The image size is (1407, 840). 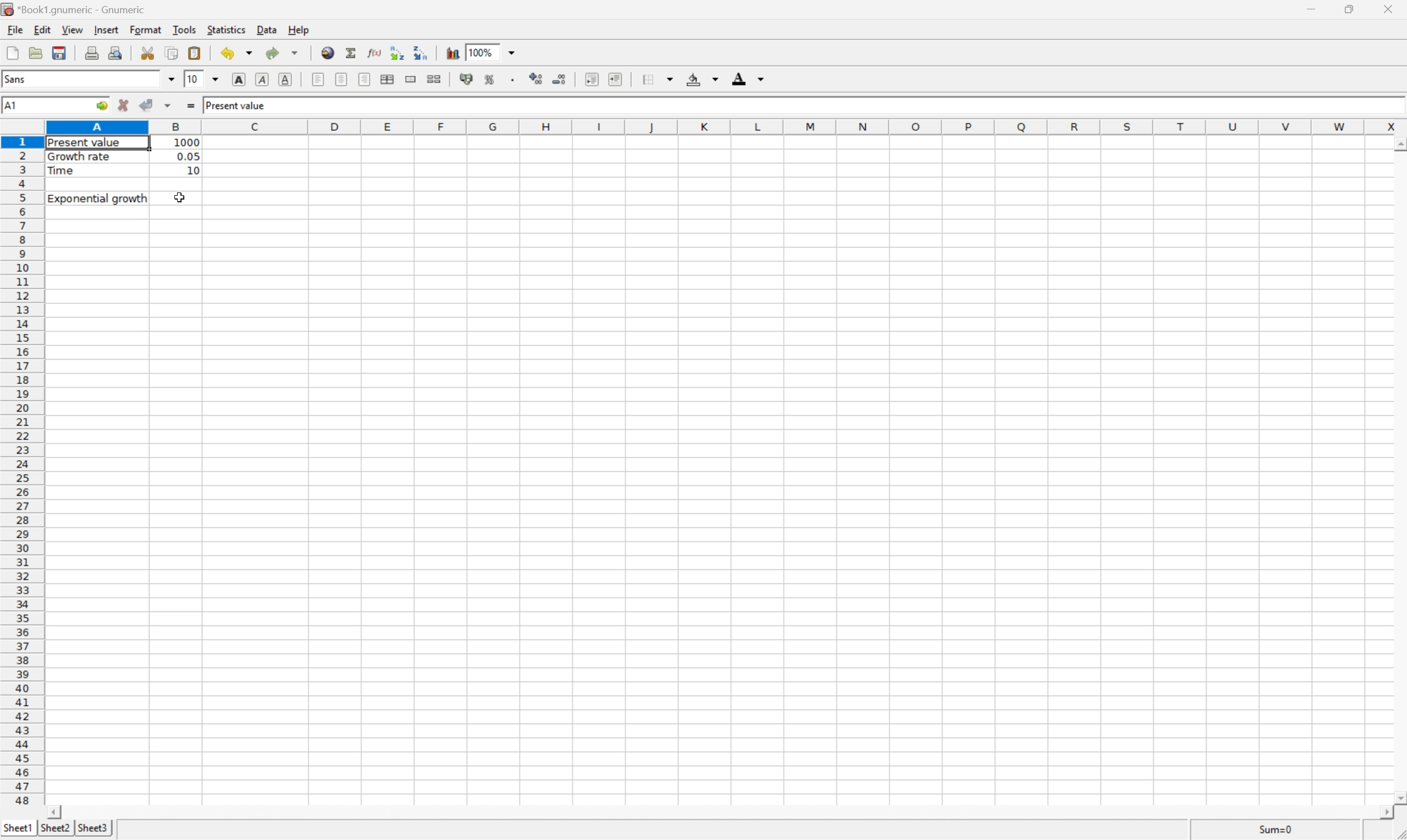 I want to click on Present value, so click(x=238, y=106).